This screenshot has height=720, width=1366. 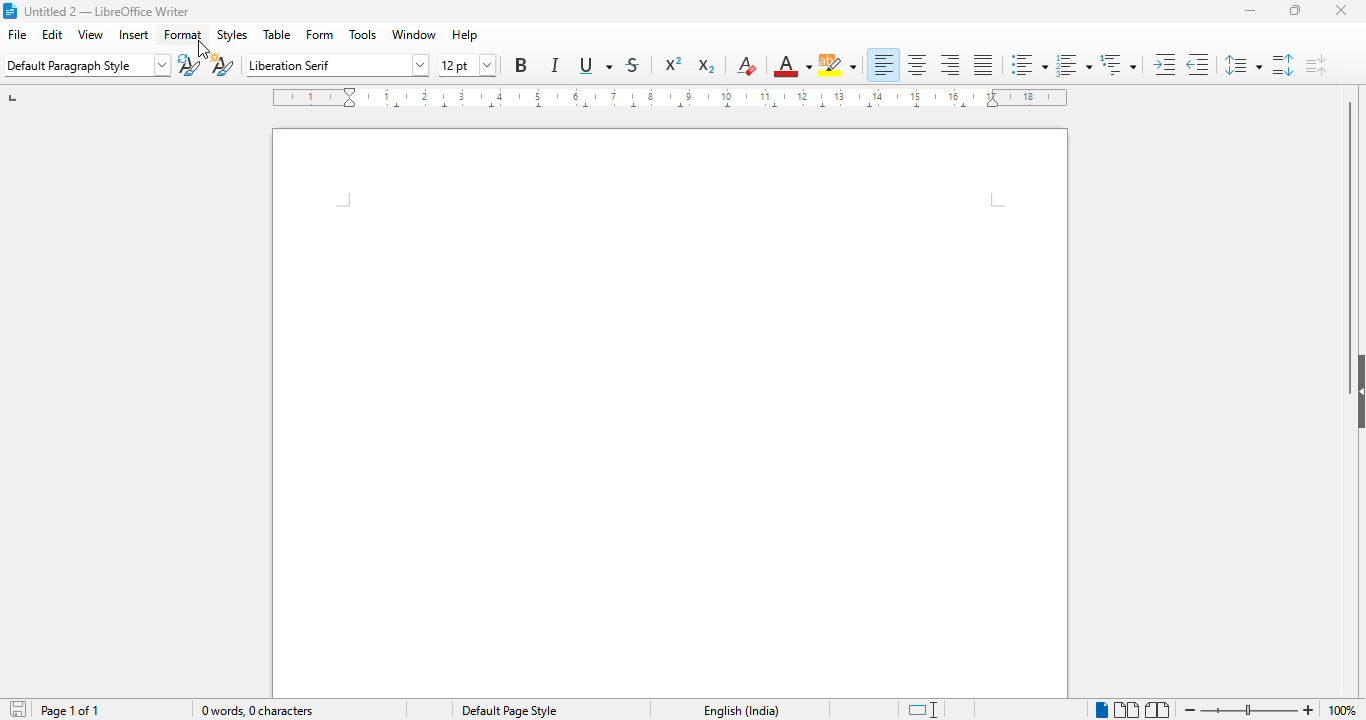 I want to click on underline, so click(x=596, y=67).